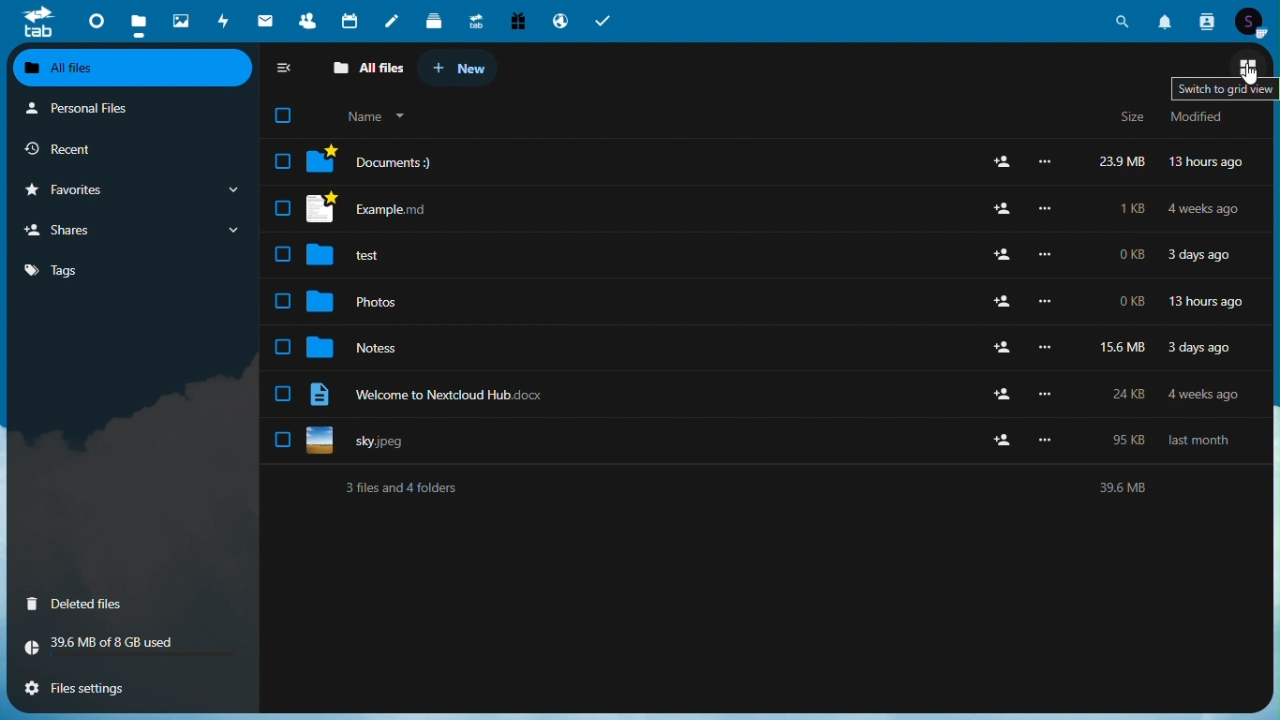 This screenshot has height=720, width=1280. Describe the element at coordinates (1202, 443) in the screenshot. I see `last month` at that location.